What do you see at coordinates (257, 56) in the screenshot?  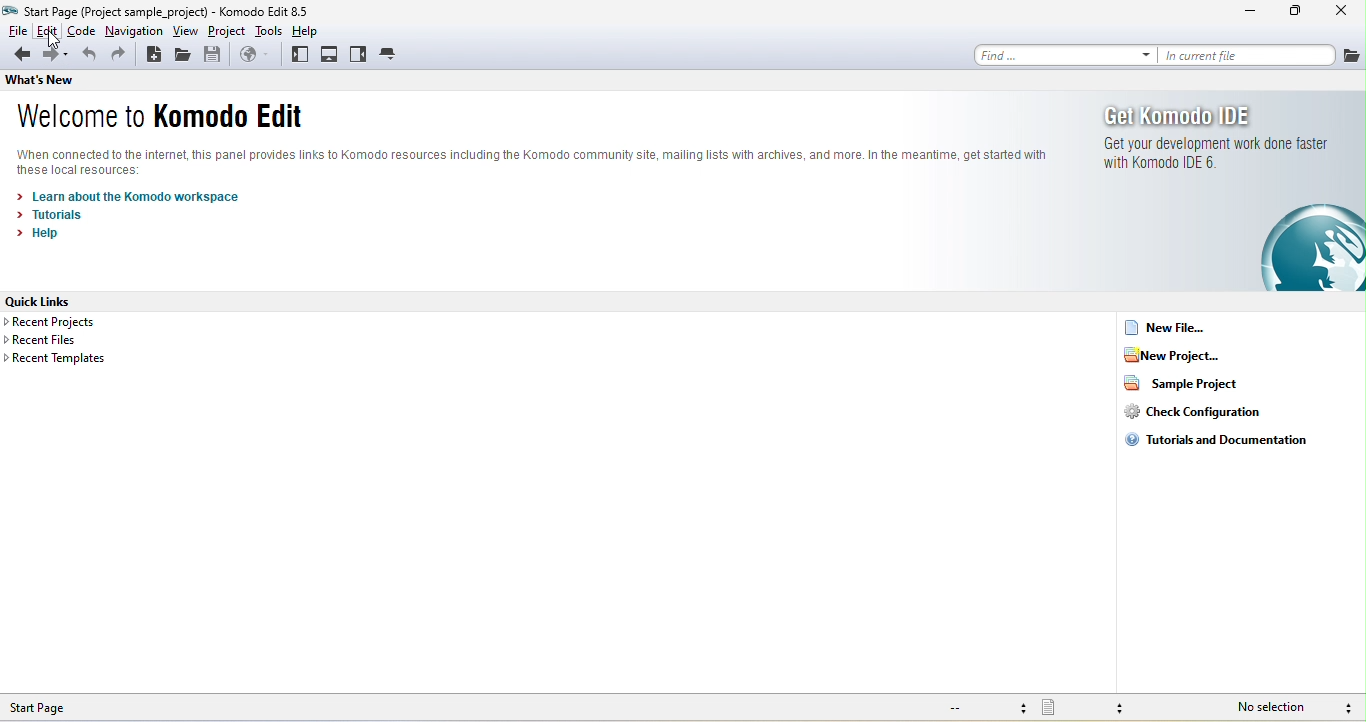 I see `browse` at bounding box center [257, 56].